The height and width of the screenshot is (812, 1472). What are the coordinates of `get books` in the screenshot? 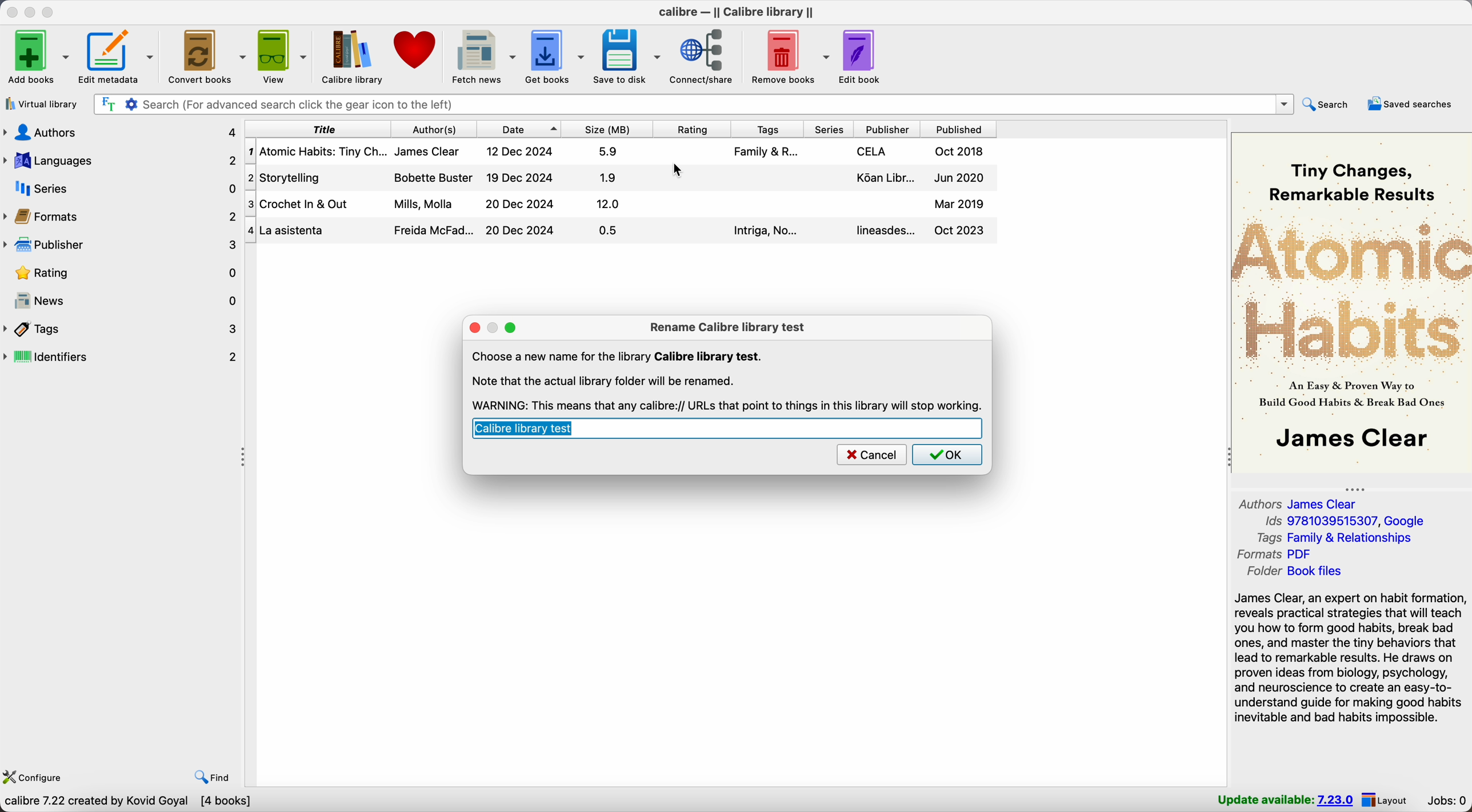 It's located at (555, 55).